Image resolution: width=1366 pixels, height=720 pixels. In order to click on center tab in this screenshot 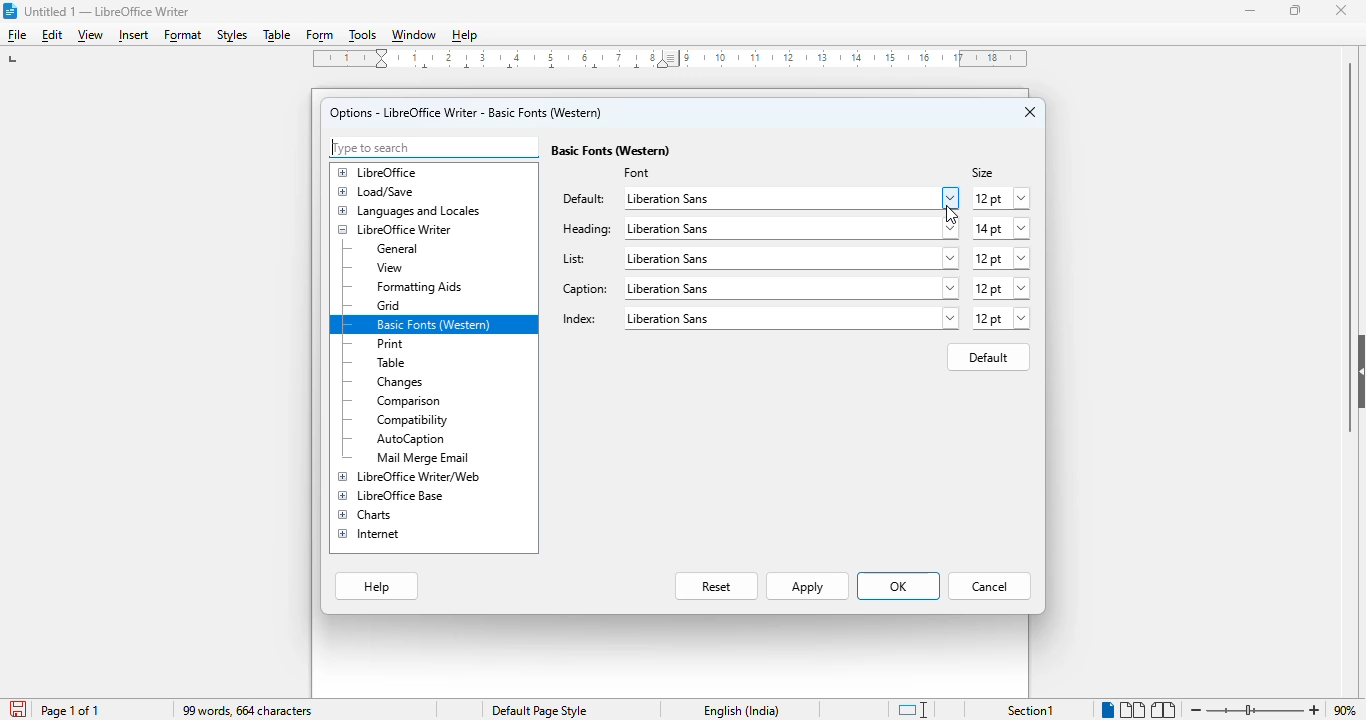, I will do `click(472, 70)`.